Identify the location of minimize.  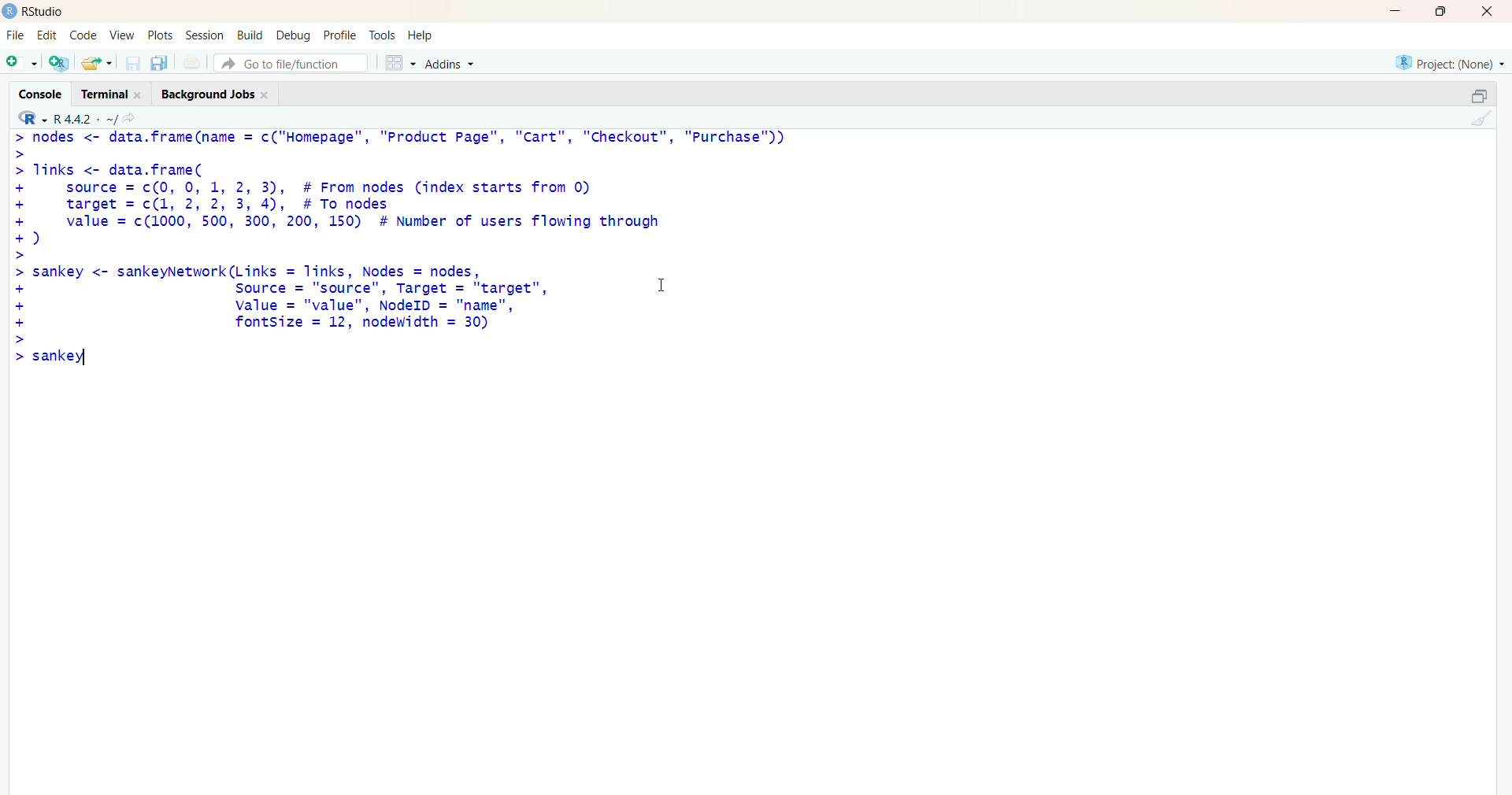
(1392, 12).